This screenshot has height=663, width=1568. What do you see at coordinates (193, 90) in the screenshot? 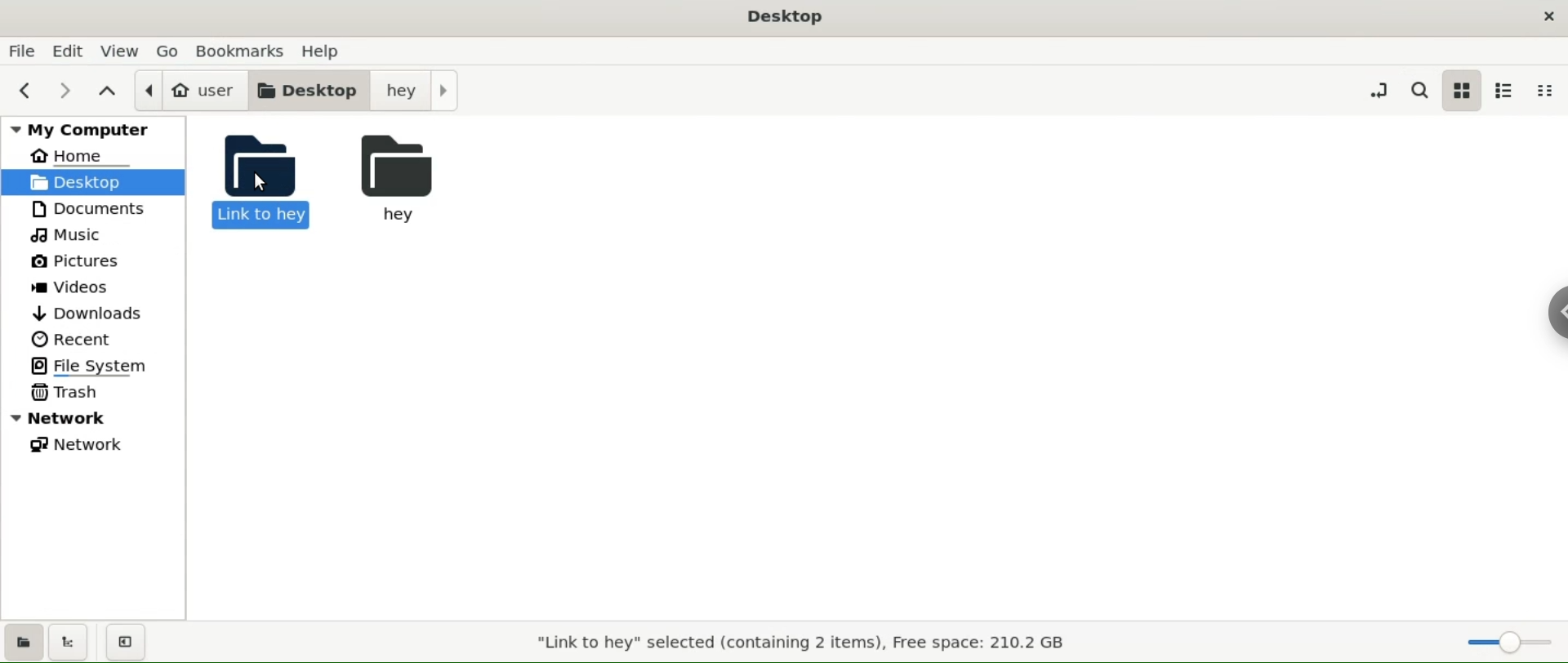
I see `user` at bounding box center [193, 90].